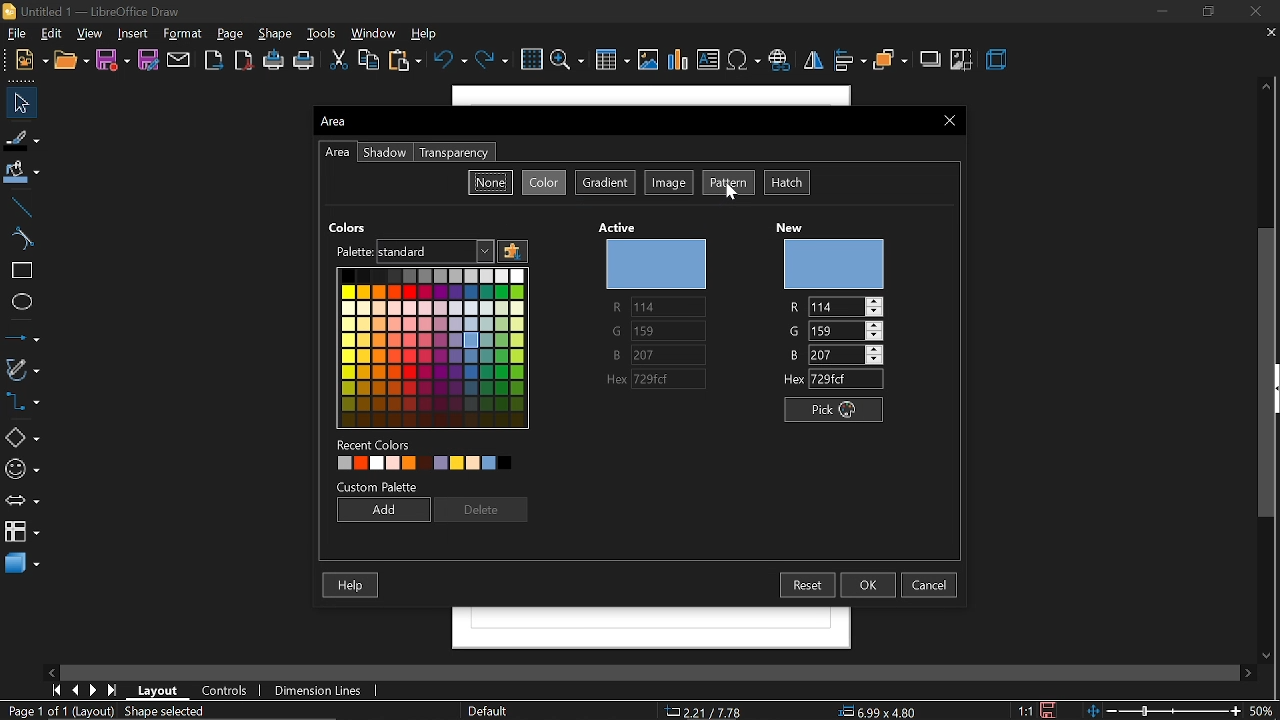 The image size is (1280, 720). Describe the element at coordinates (614, 61) in the screenshot. I see `insert table` at that location.